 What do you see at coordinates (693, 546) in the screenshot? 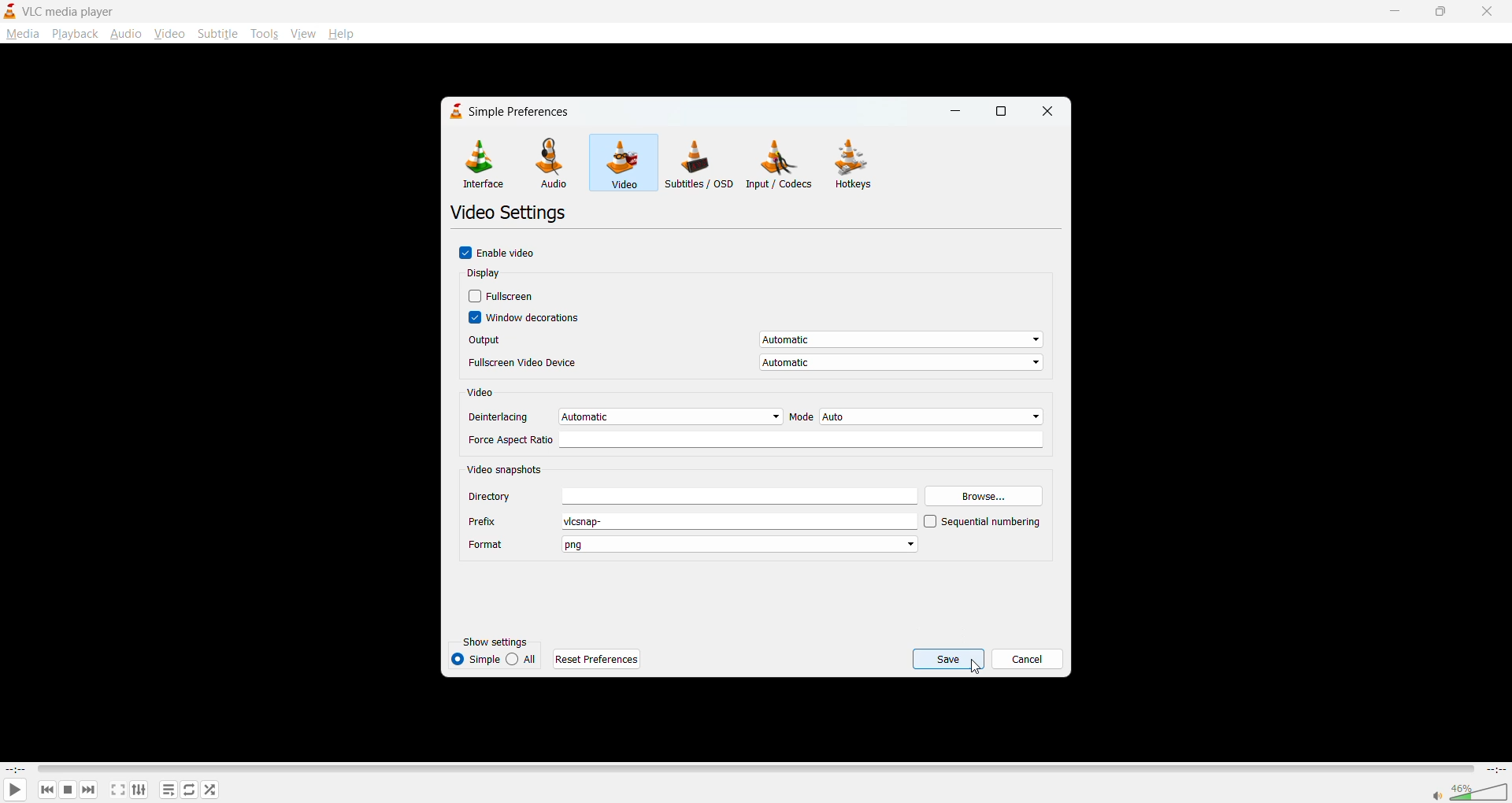
I see `format` at bounding box center [693, 546].